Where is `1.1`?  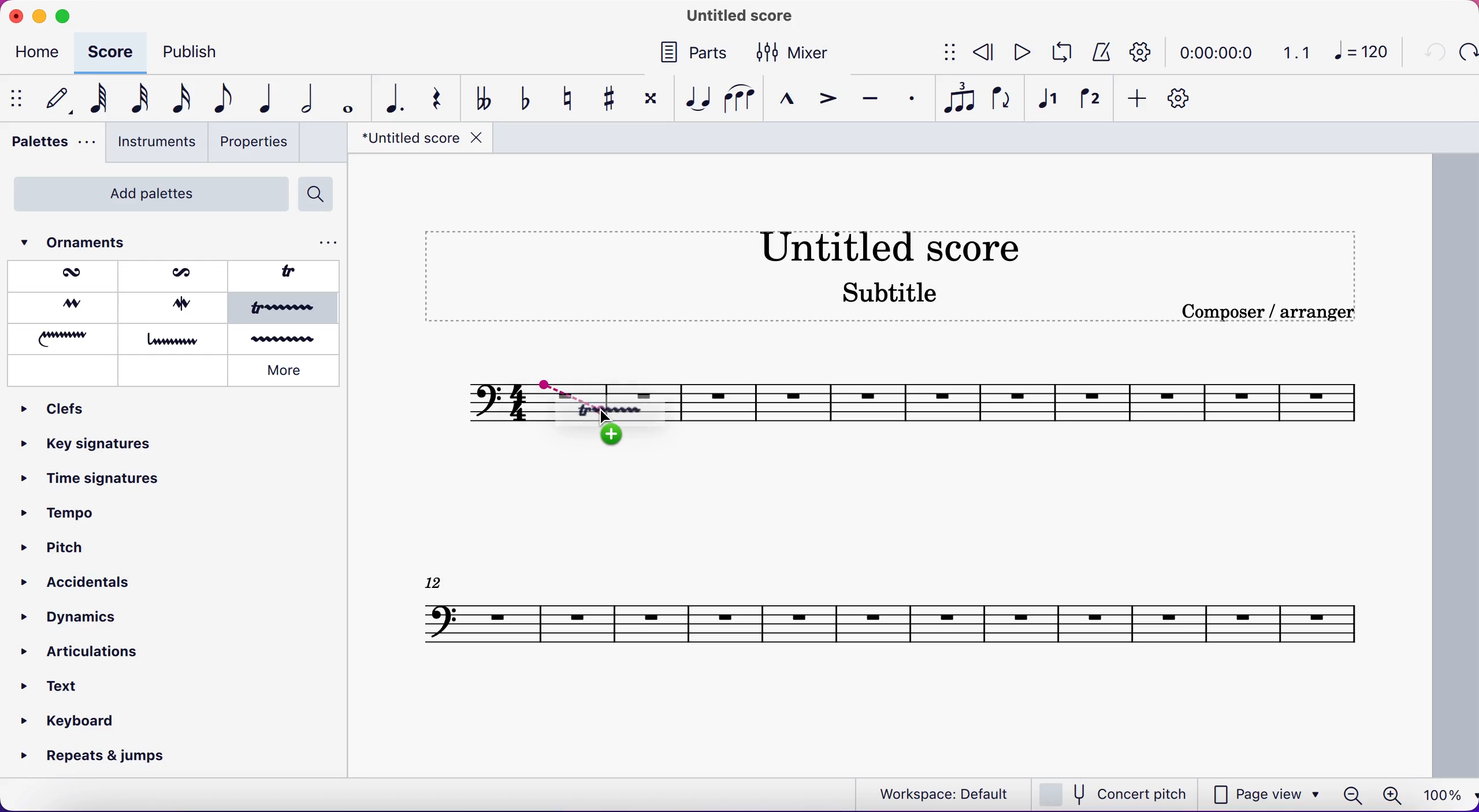
1.1 is located at coordinates (1298, 52).